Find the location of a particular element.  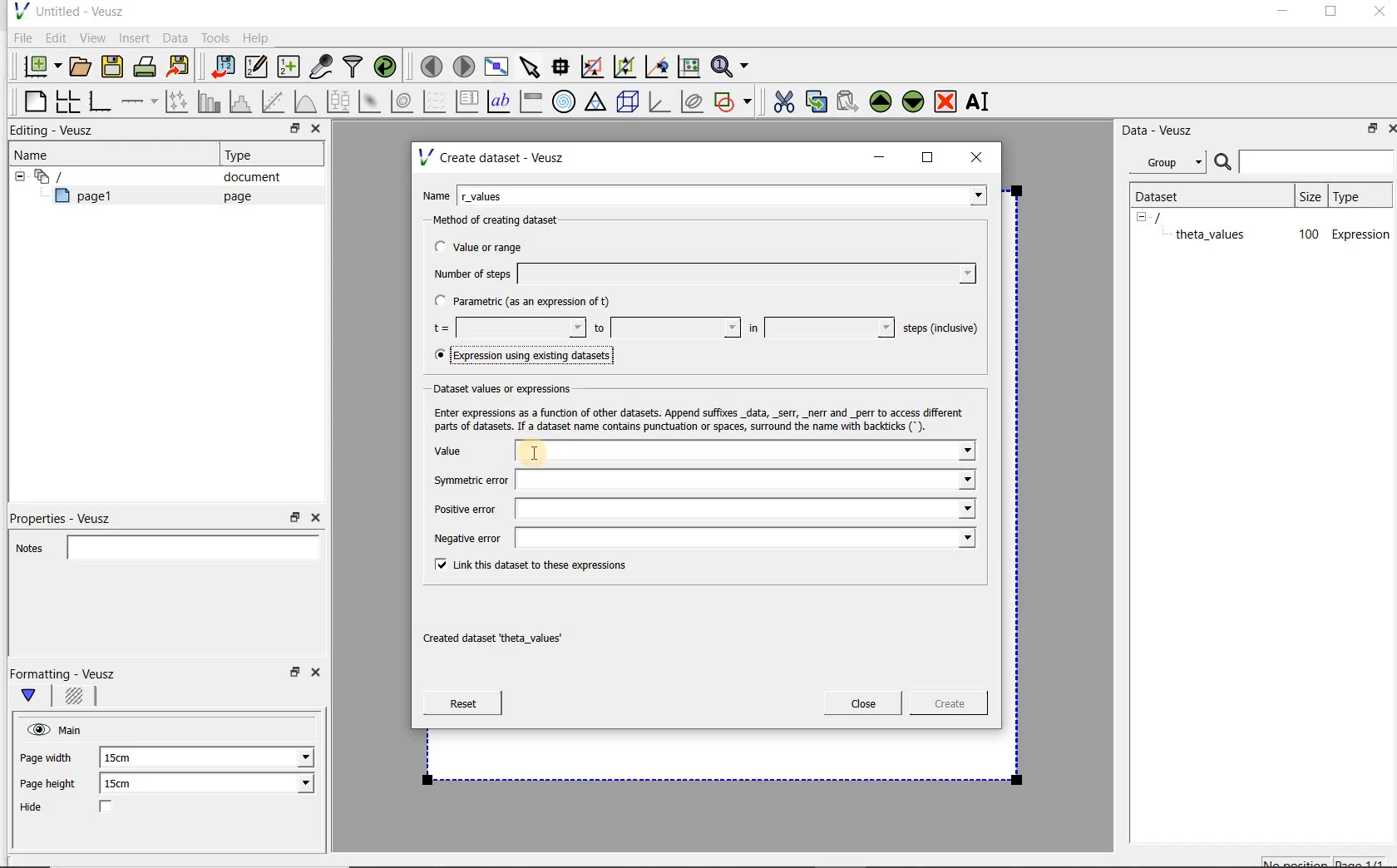

Value is located at coordinates (701, 451).